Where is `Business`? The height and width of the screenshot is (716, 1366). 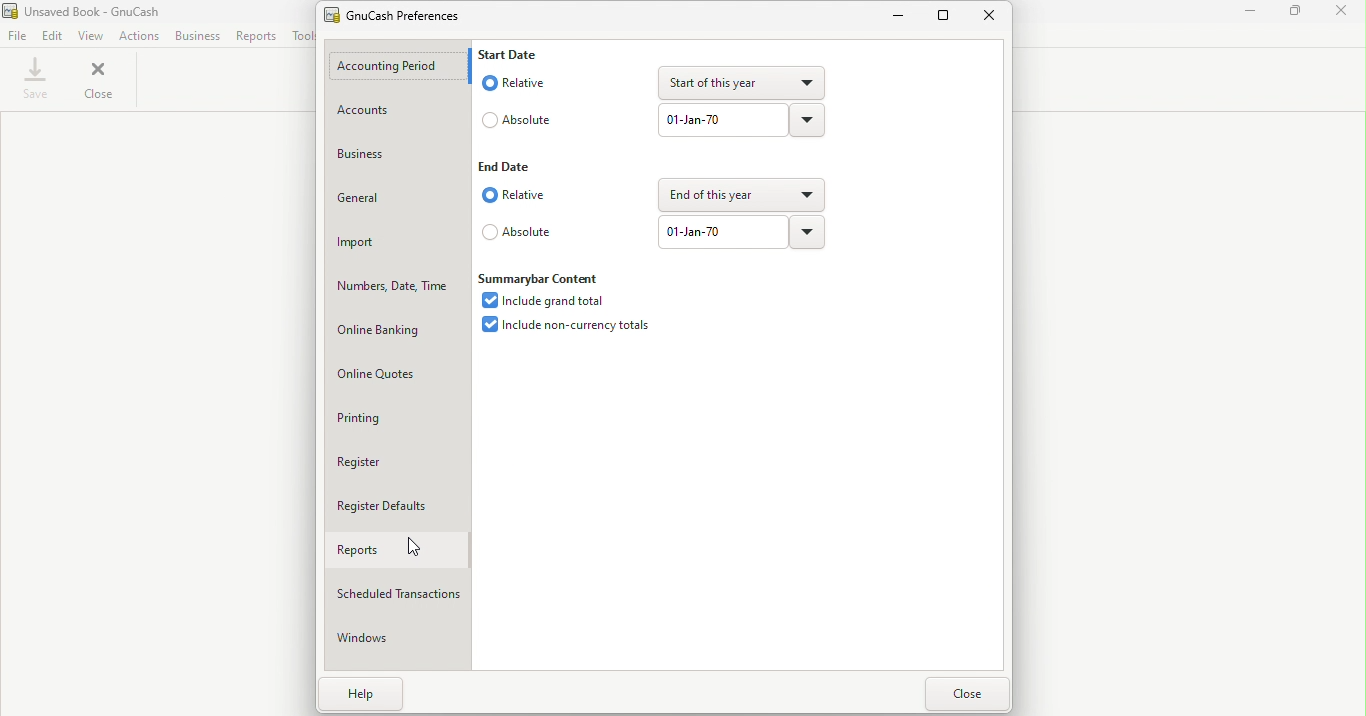 Business is located at coordinates (402, 157).